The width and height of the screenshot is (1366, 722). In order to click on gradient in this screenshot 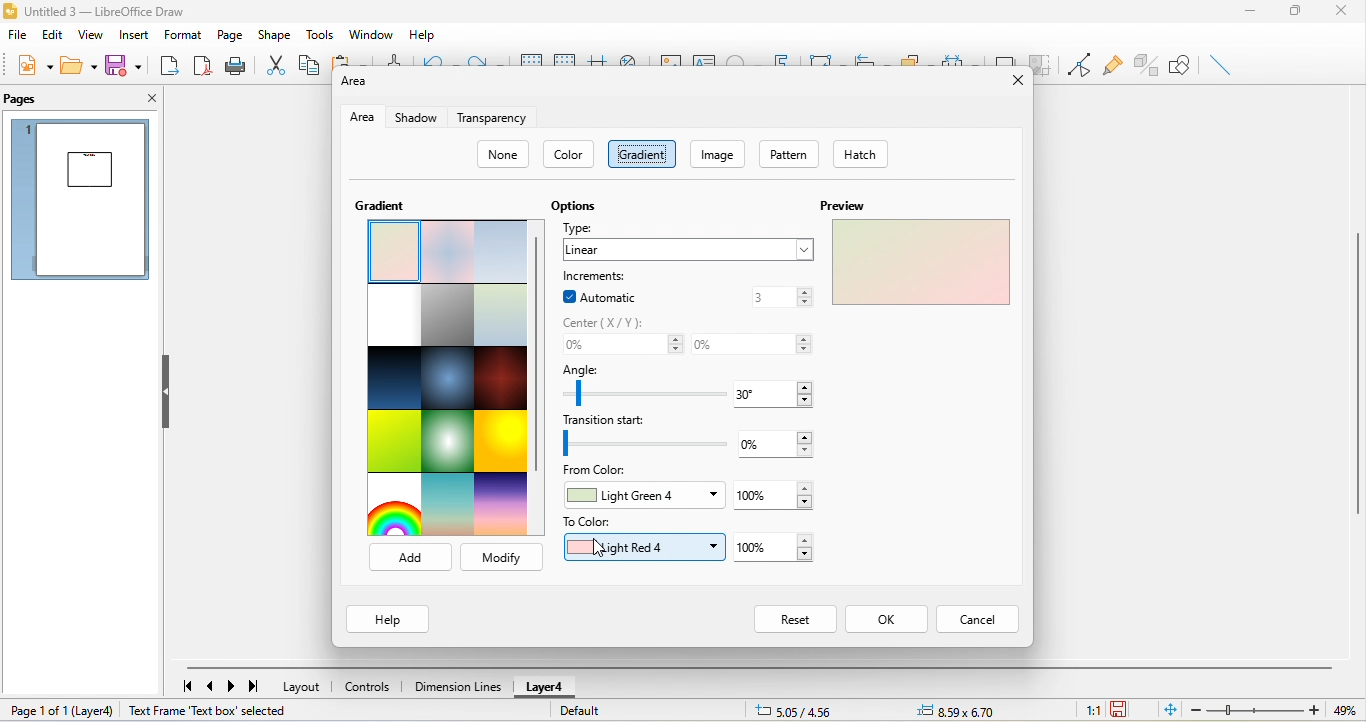, I will do `click(379, 206)`.